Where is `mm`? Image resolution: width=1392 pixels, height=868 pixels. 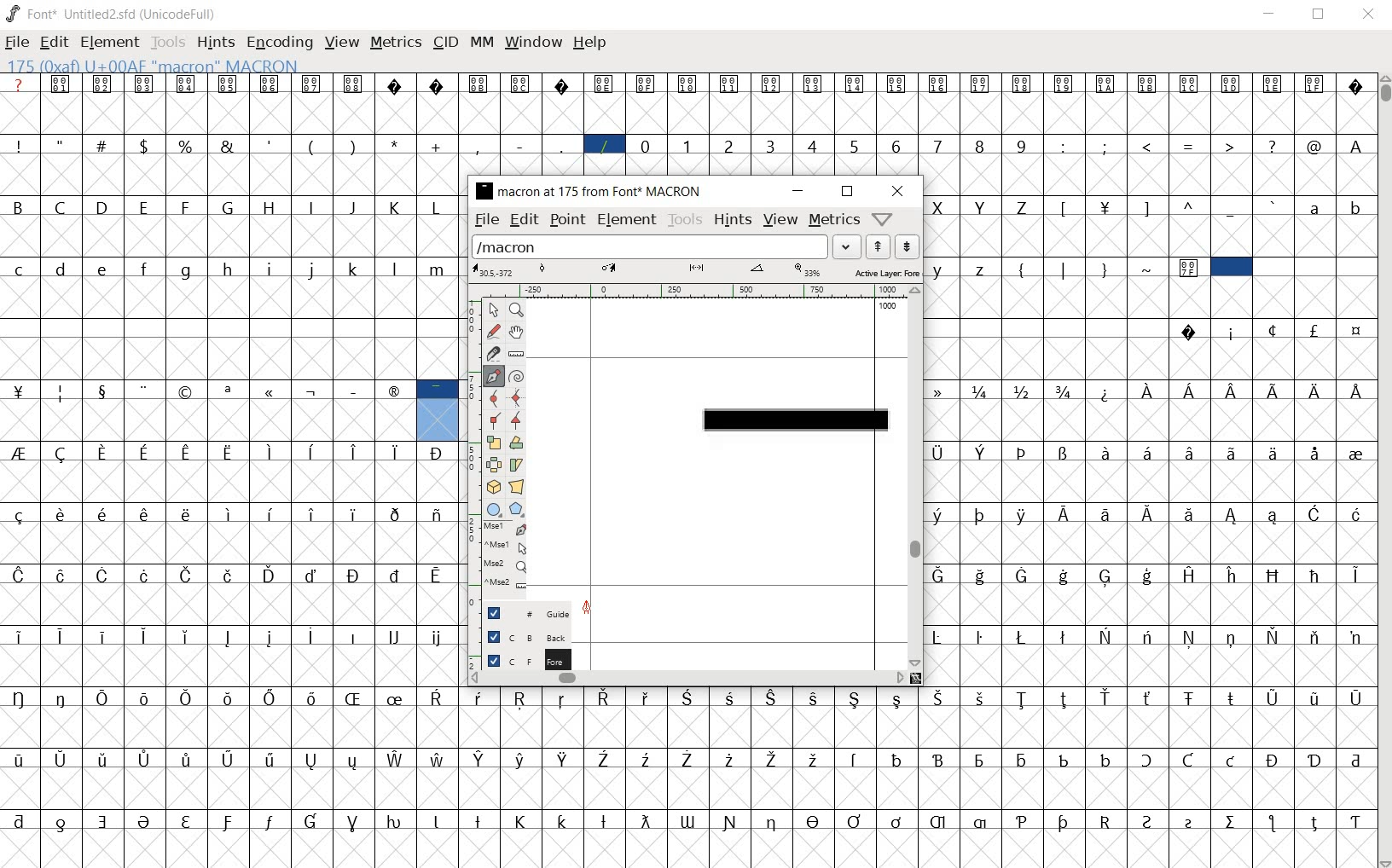
mm is located at coordinates (482, 43).